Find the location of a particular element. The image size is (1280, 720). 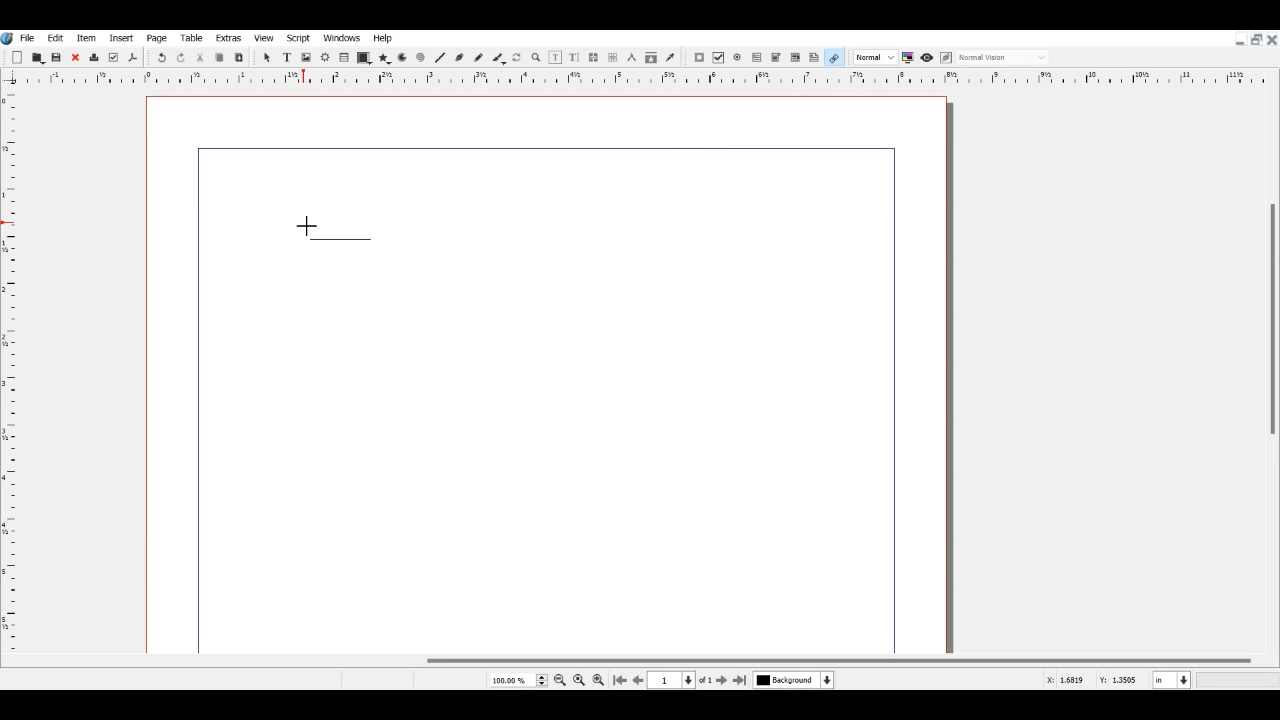

Copy item properties is located at coordinates (651, 59).